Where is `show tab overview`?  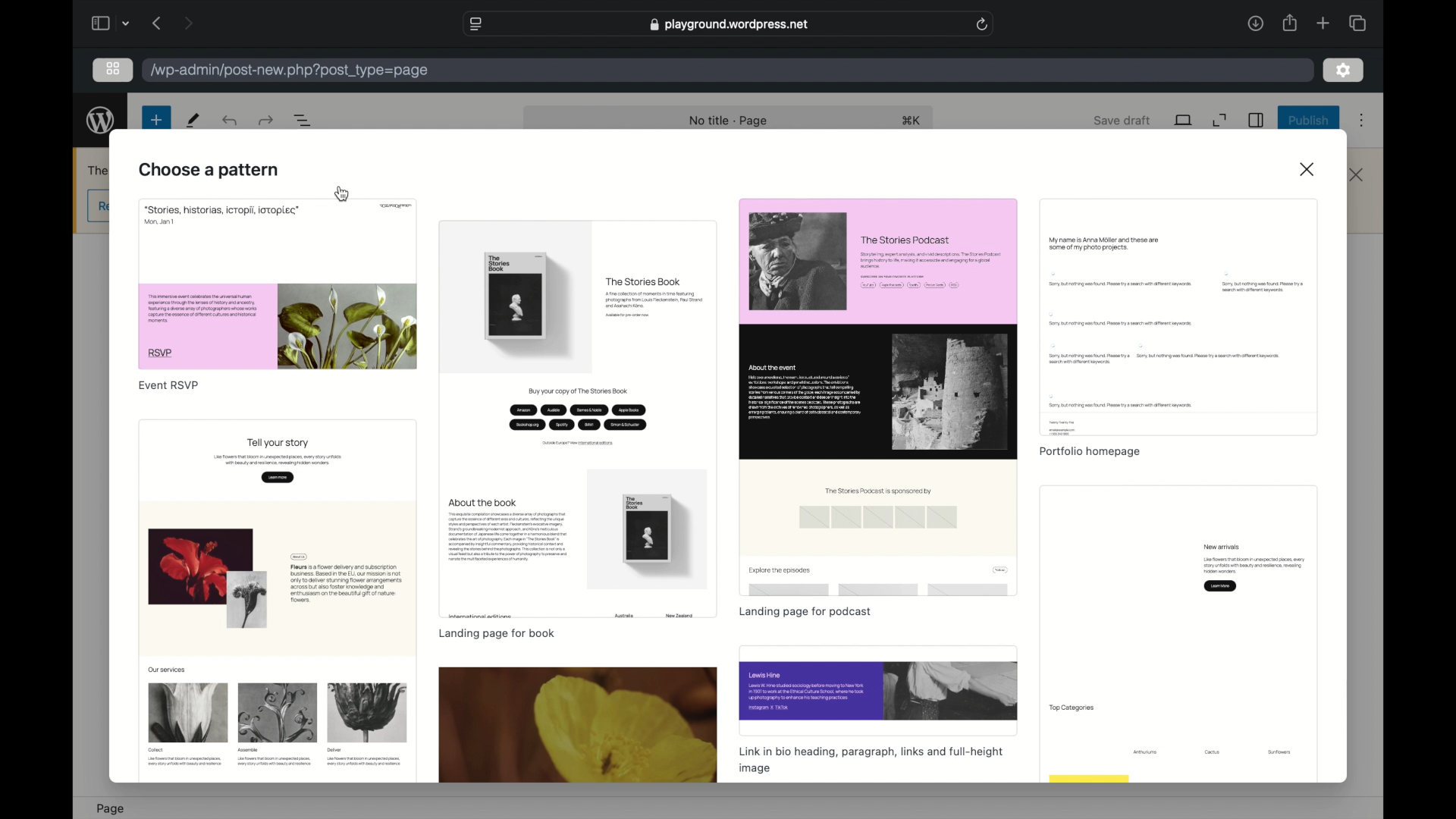
show tab overview is located at coordinates (1357, 23).